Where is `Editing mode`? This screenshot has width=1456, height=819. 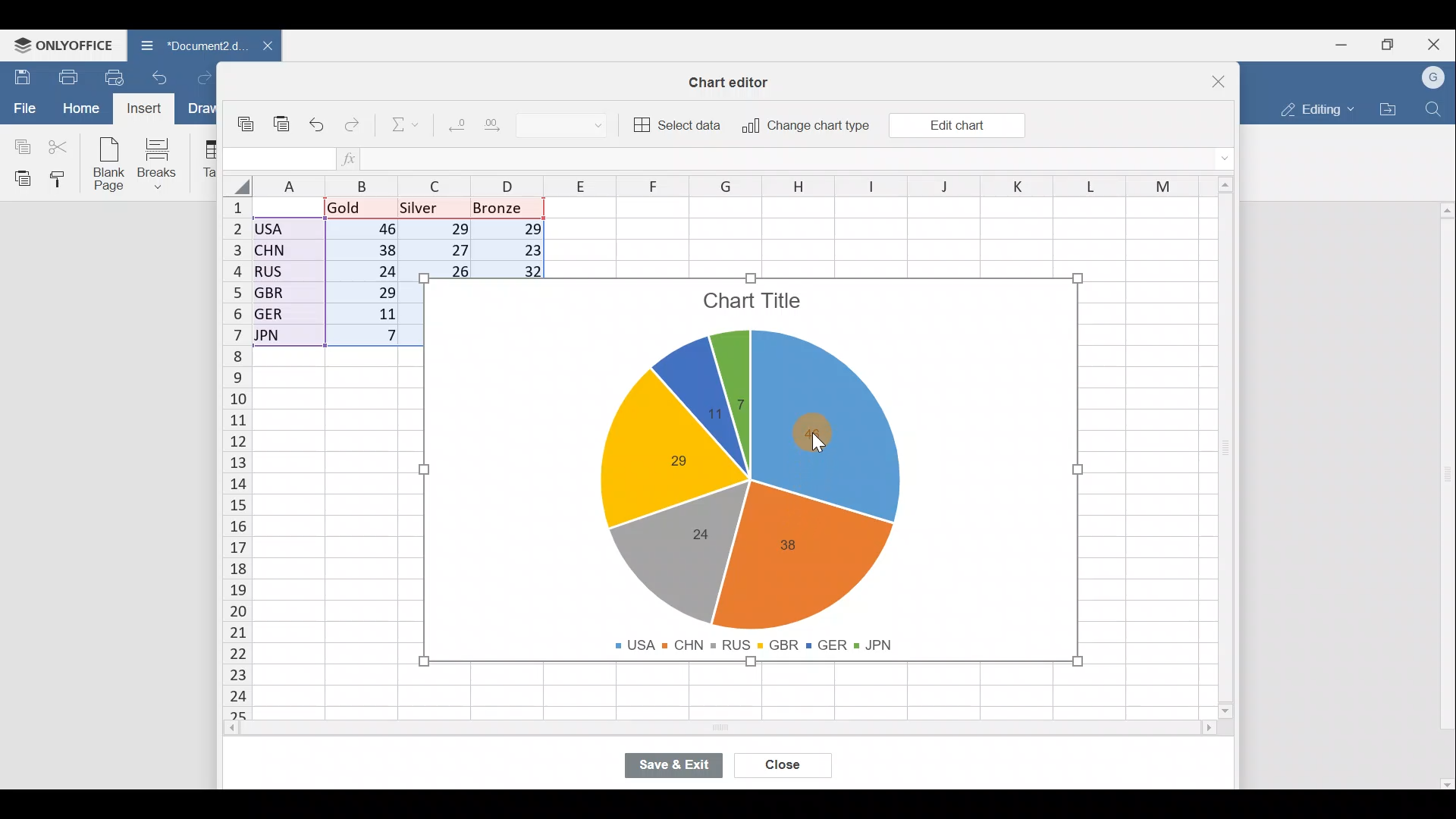 Editing mode is located at coordinates (1316, 106).